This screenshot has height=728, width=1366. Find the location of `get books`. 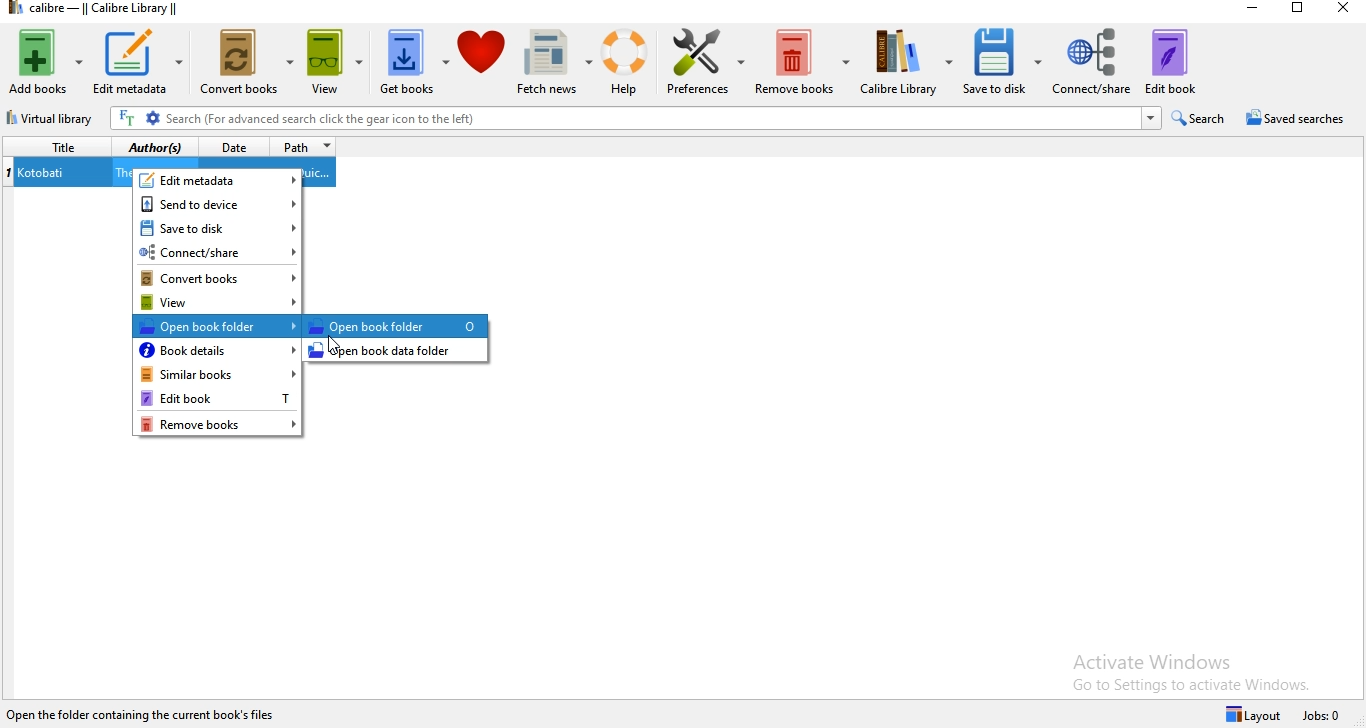

get books is located at coordinates (413, 62).